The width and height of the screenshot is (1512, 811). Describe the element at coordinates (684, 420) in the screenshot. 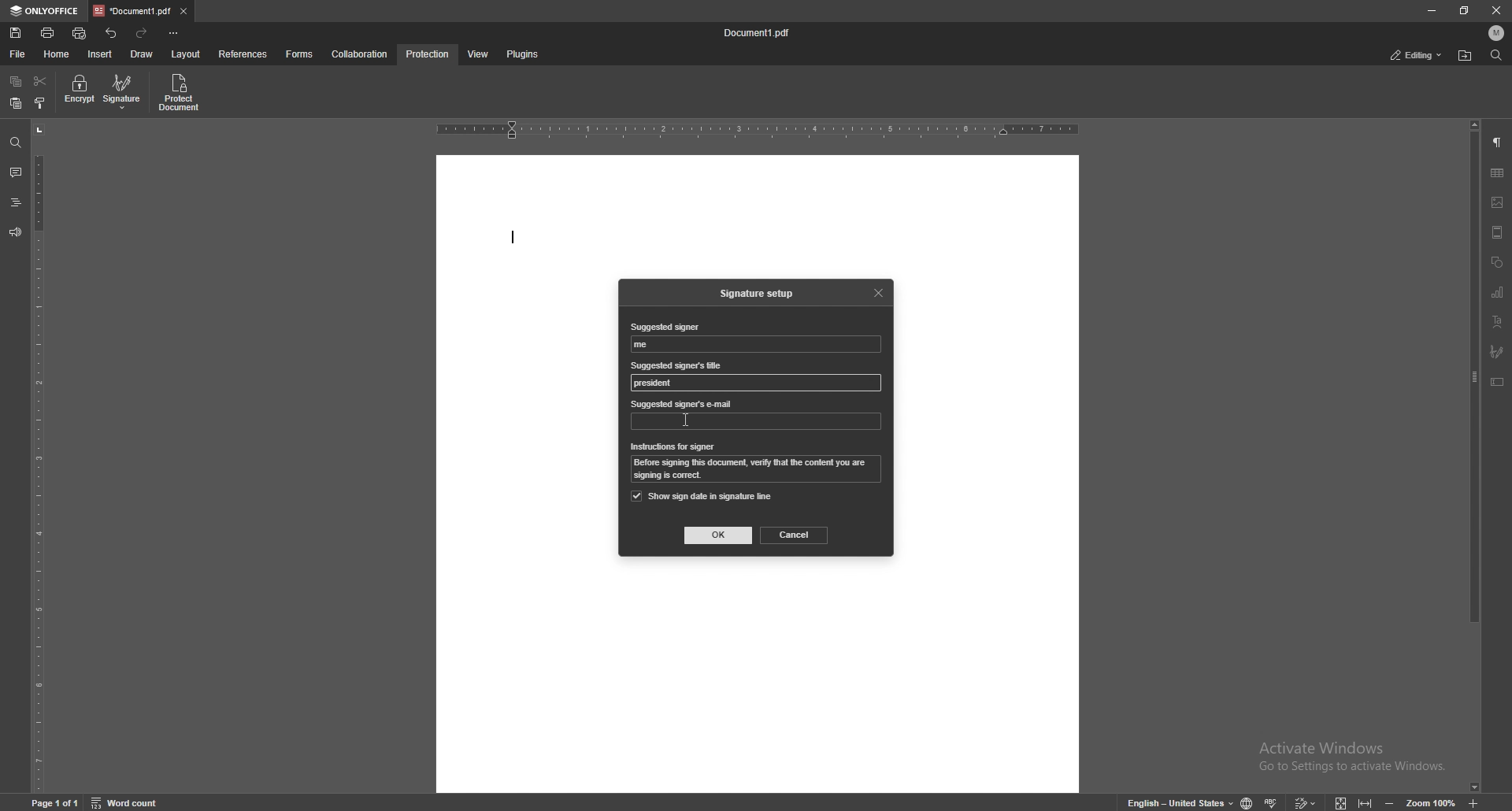

I see `cursor` at that location.